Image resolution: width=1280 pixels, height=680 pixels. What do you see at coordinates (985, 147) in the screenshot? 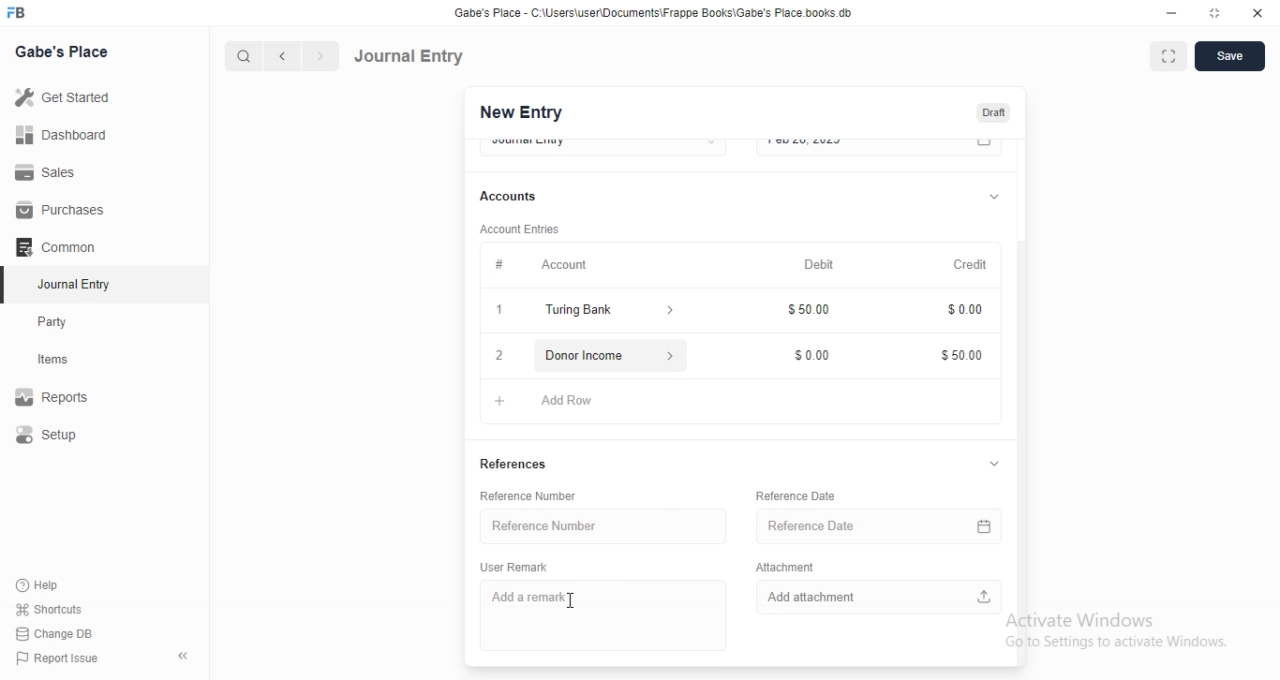
I see `calender` at bounding box center [985, 147].